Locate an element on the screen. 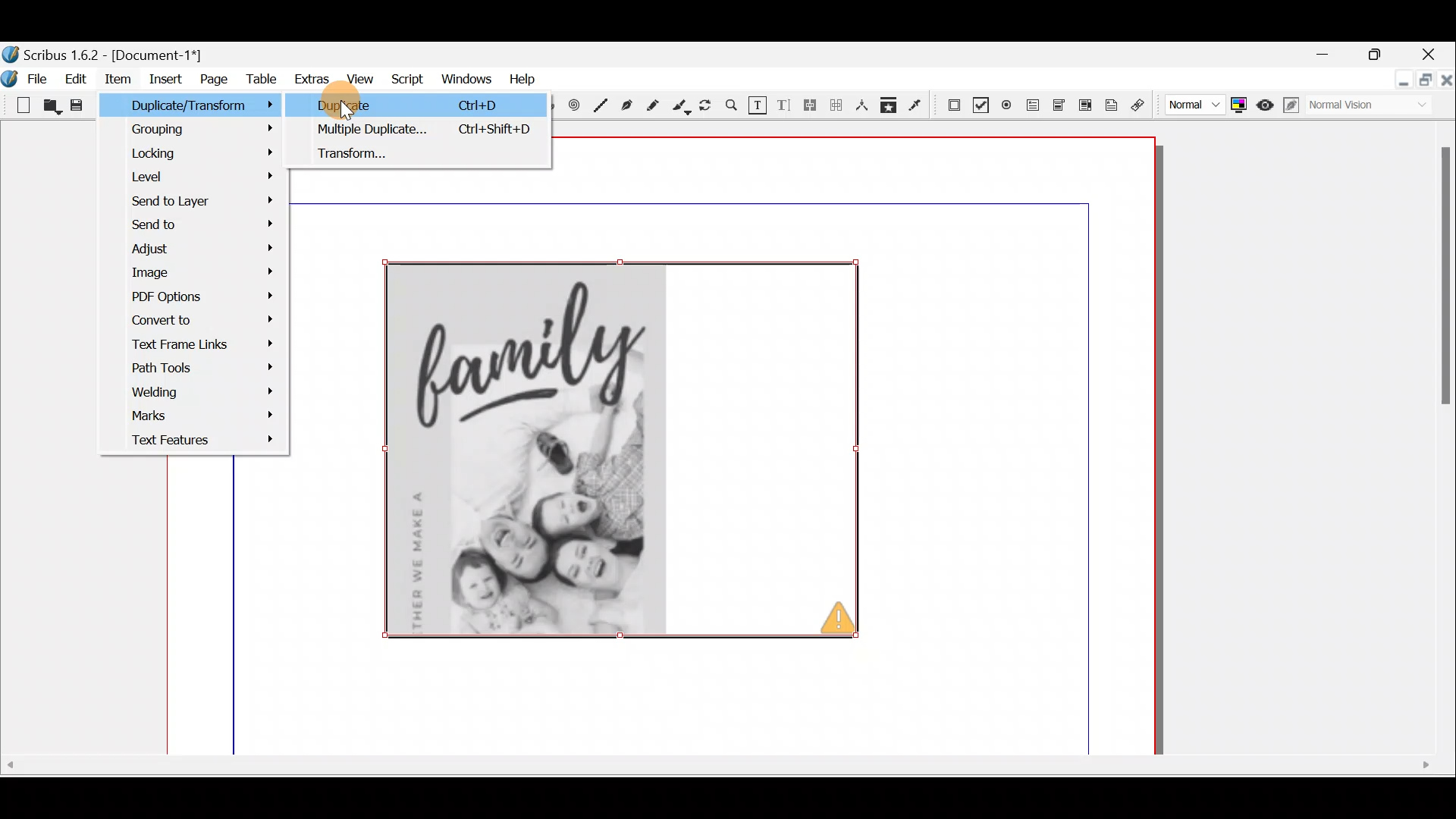  PDF options is located at coordinates (202, 297).